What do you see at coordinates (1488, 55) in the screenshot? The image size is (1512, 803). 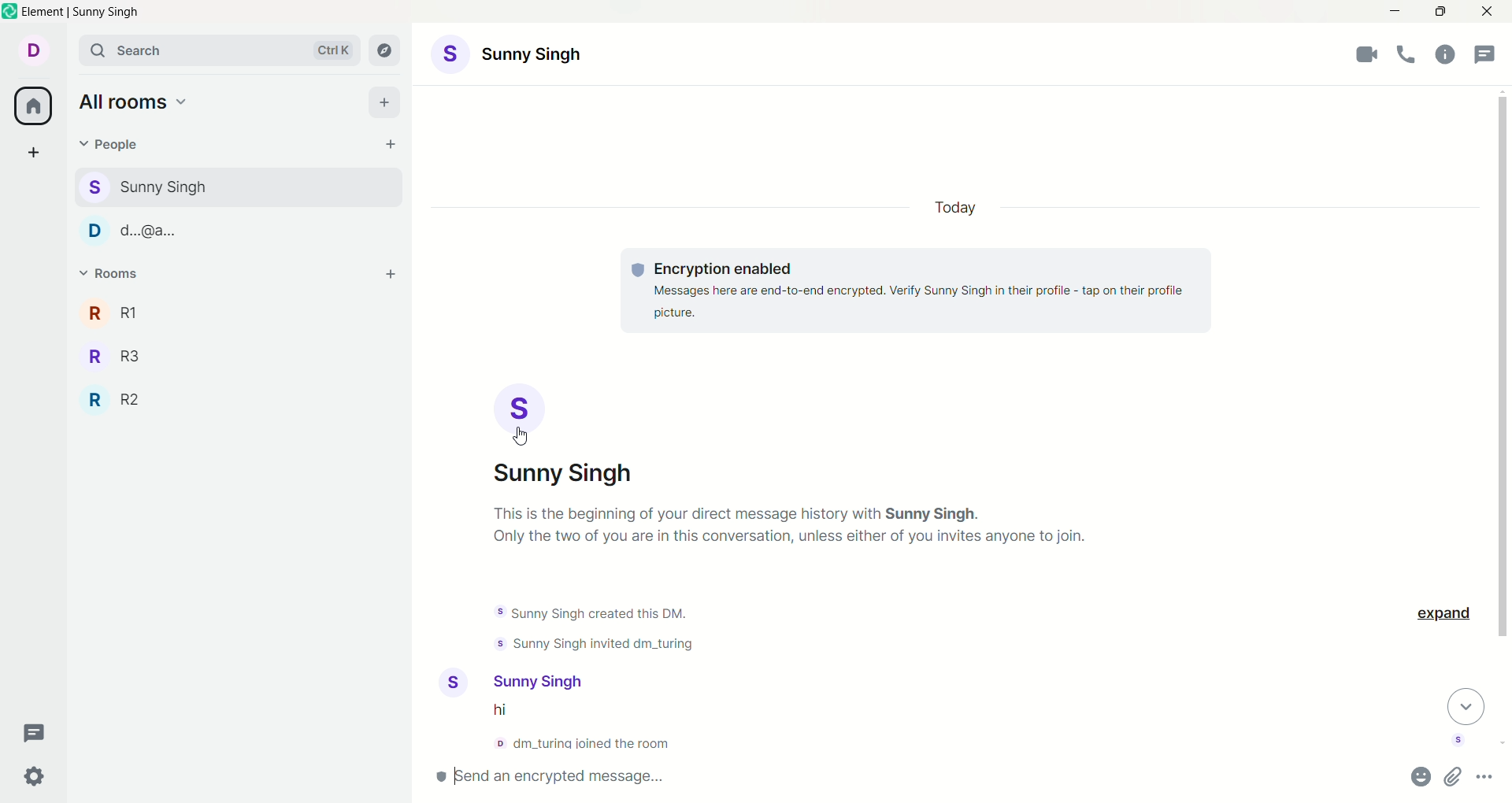 I see `Message` at bounding box center [1488, 55].